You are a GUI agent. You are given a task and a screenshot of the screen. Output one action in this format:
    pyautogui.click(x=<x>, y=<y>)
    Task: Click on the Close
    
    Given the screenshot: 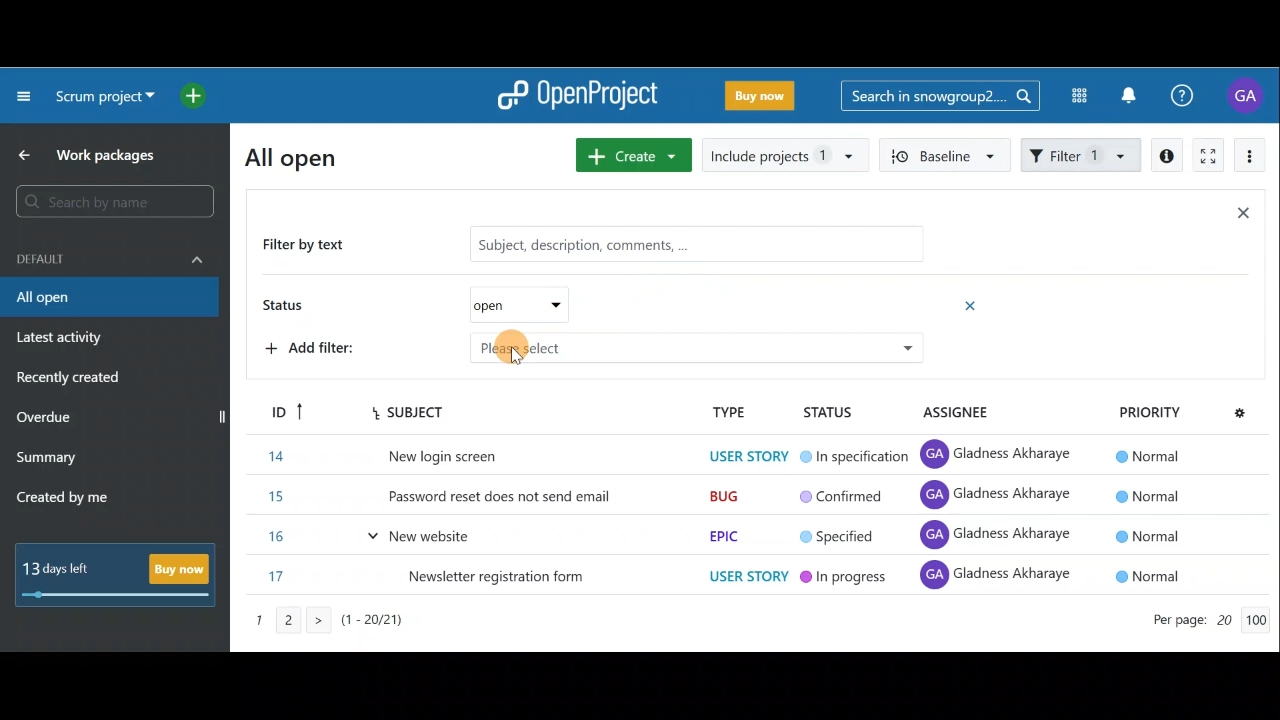 What is the action you would take?
    pyautogui.click(x=1242, y=217)
    